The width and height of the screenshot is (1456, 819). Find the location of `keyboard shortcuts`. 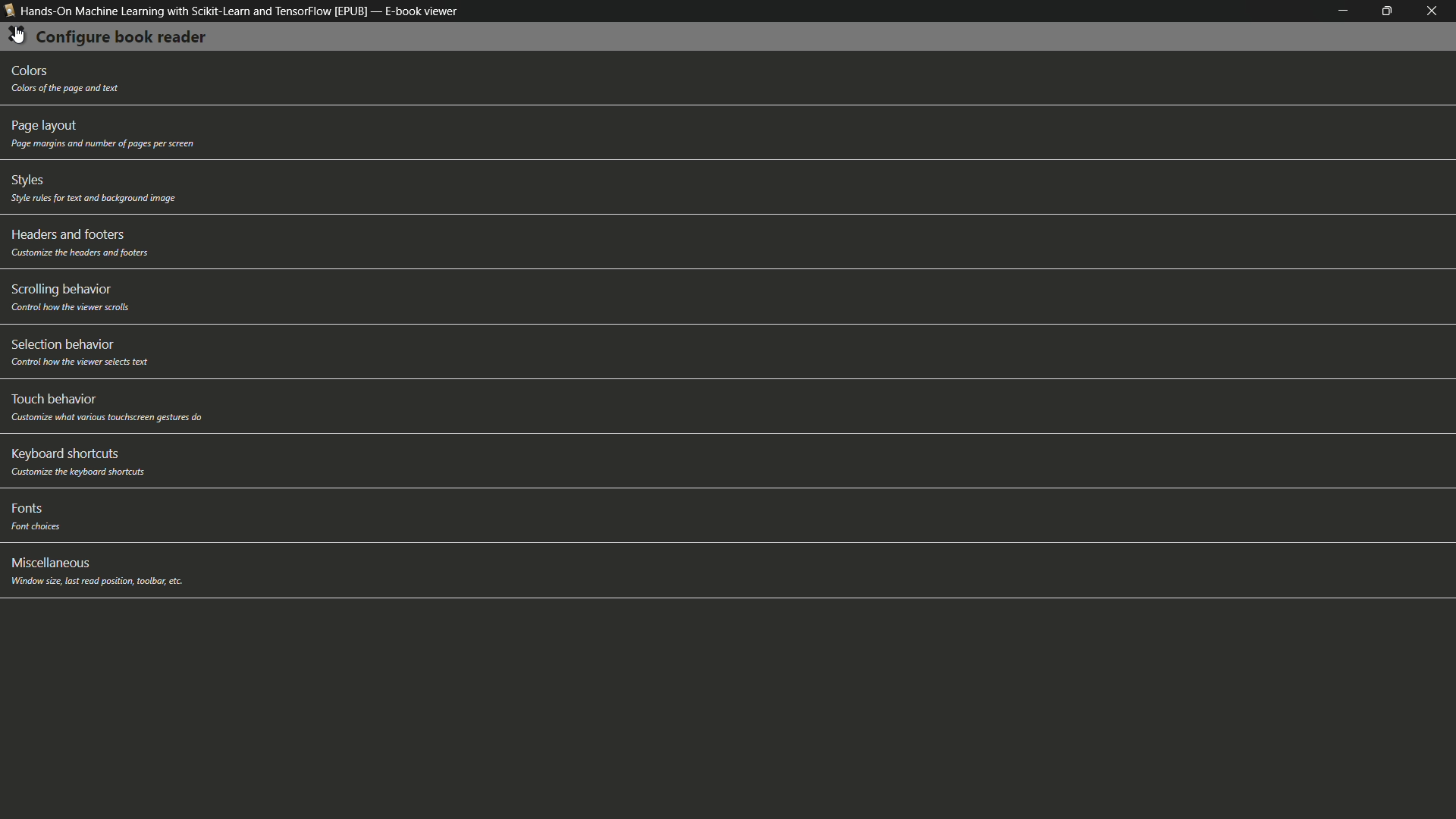

keyboard shortcuts is located at coordinates (63, 453).